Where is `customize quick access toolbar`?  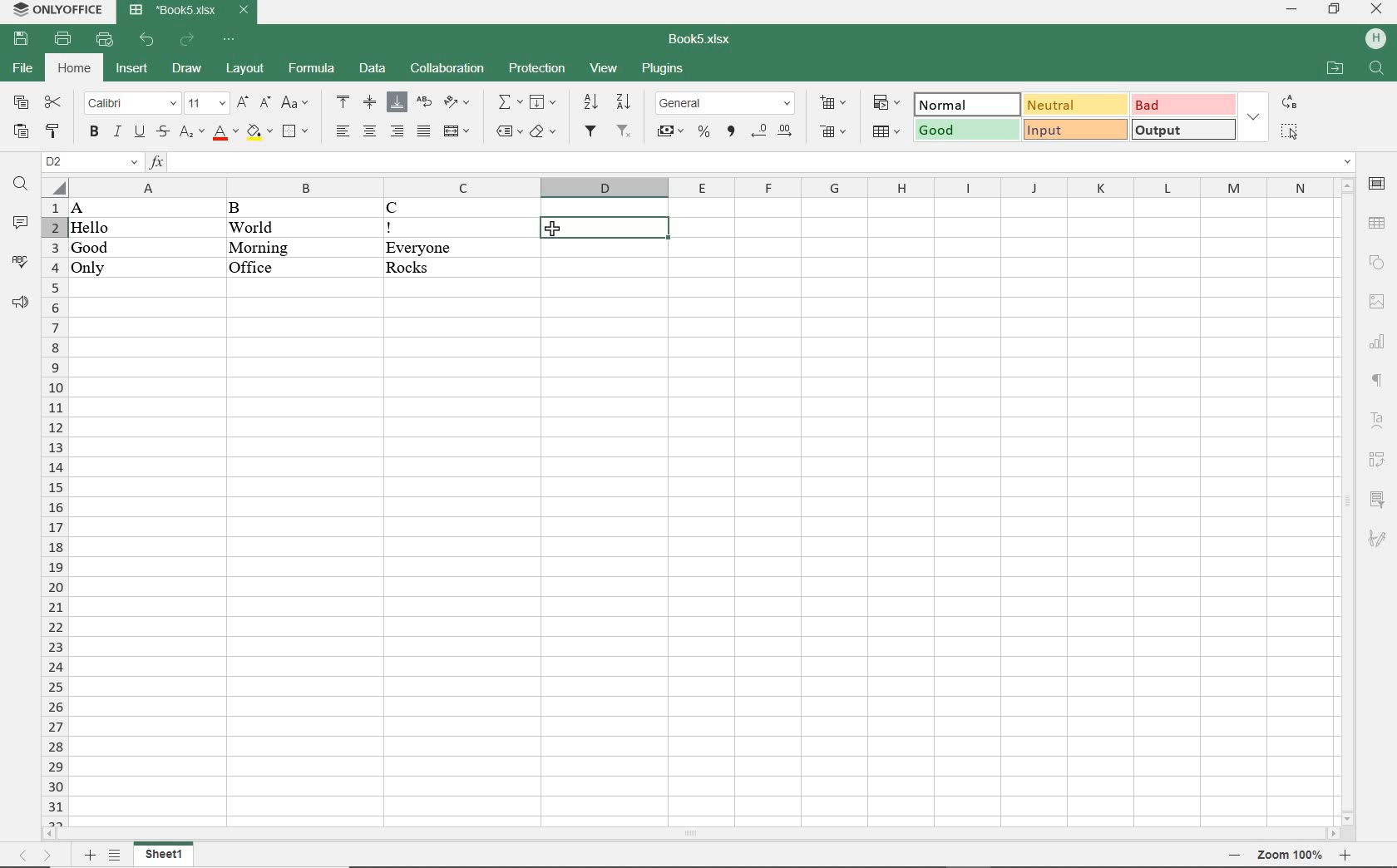
customize quick access toolbar is located at coordinates (229, 40).